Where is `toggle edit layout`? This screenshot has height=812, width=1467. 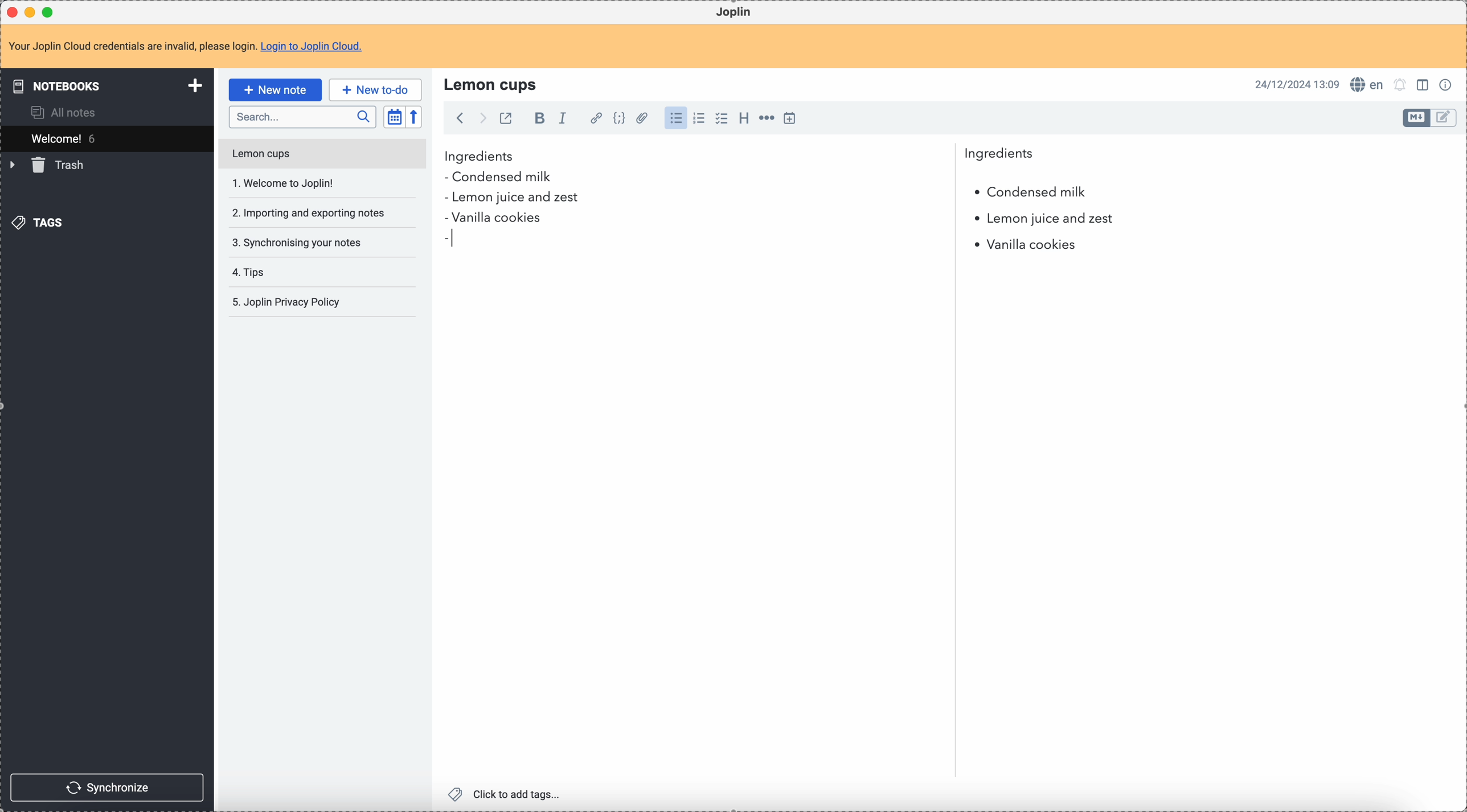 toggle edit layout is located at coordinates (1444, 118).